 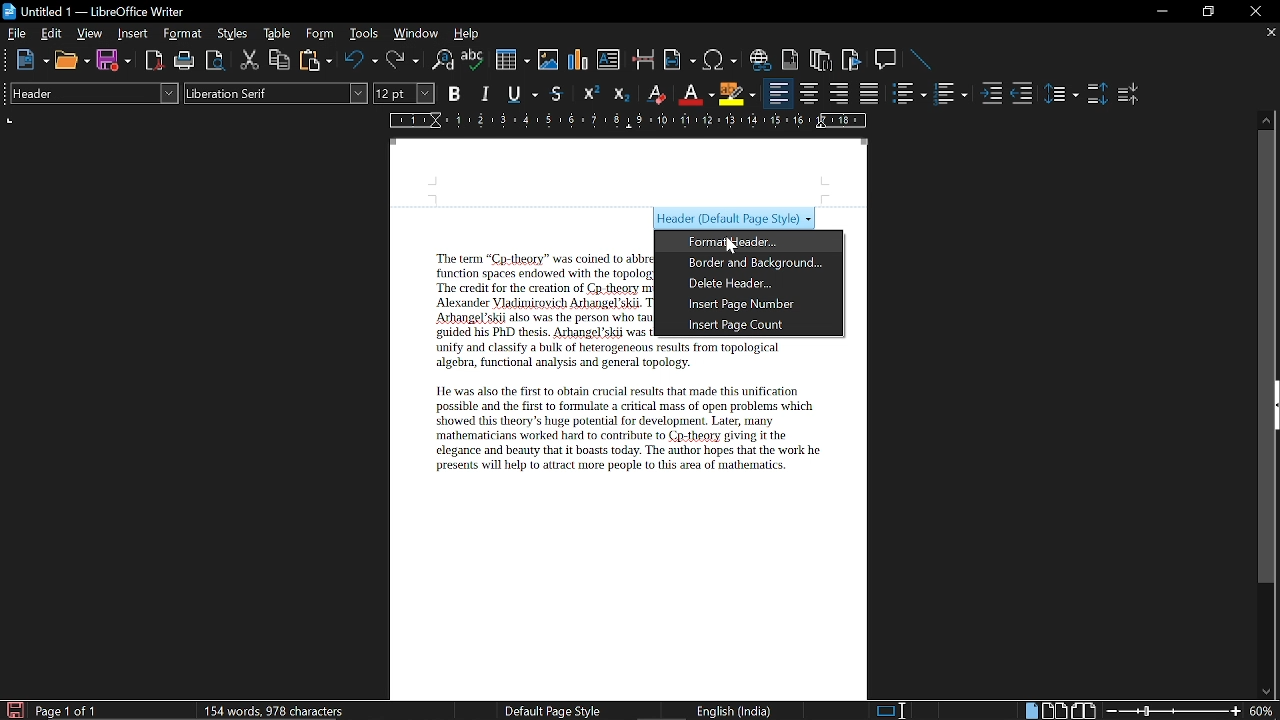 What do you see at coordinates (852, 61) in the screenshot?
I see `Insert bibliography` at bounding box center [852, 61].